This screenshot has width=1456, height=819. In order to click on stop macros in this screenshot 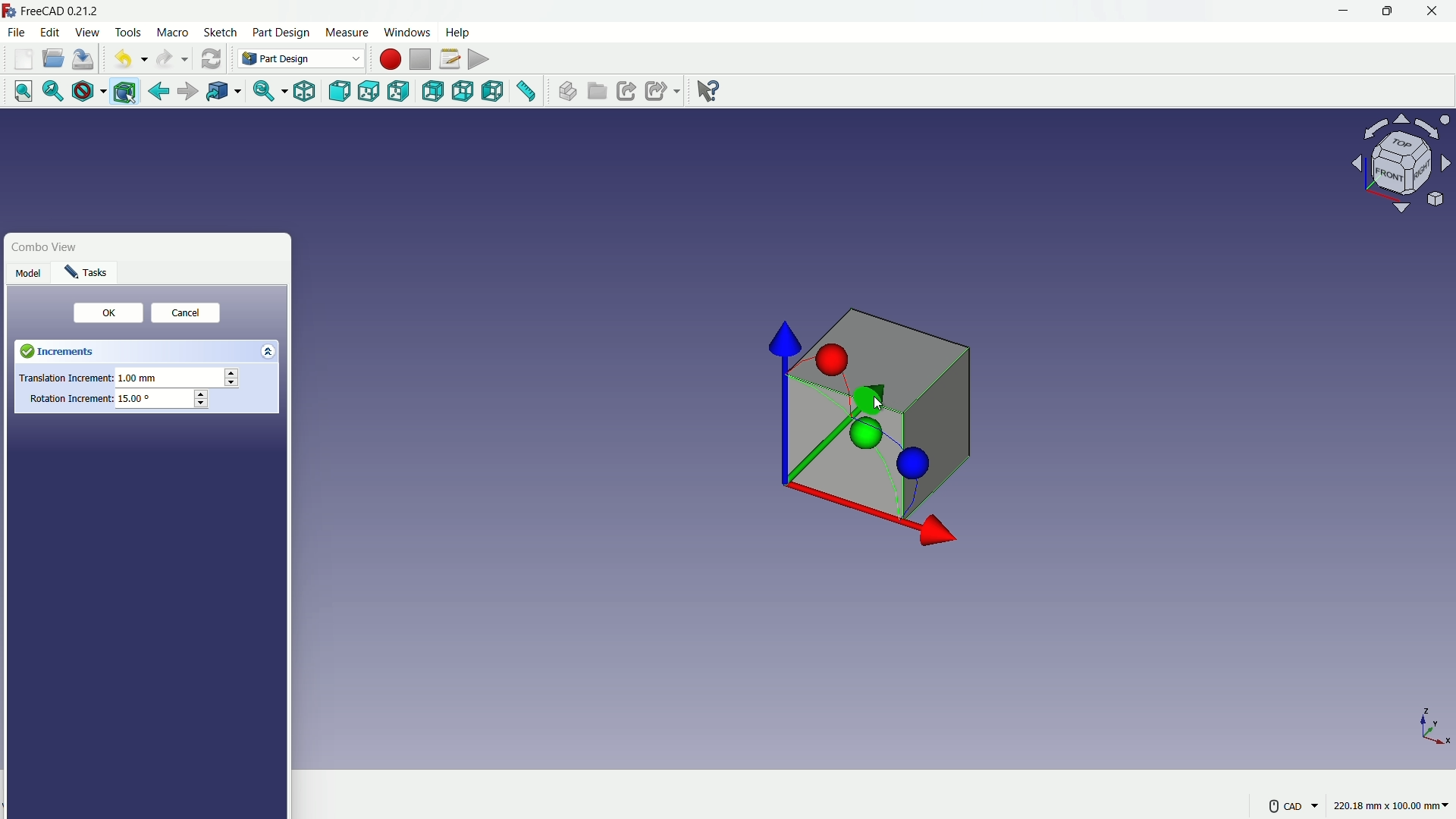, I will do `click(420, 60)`.